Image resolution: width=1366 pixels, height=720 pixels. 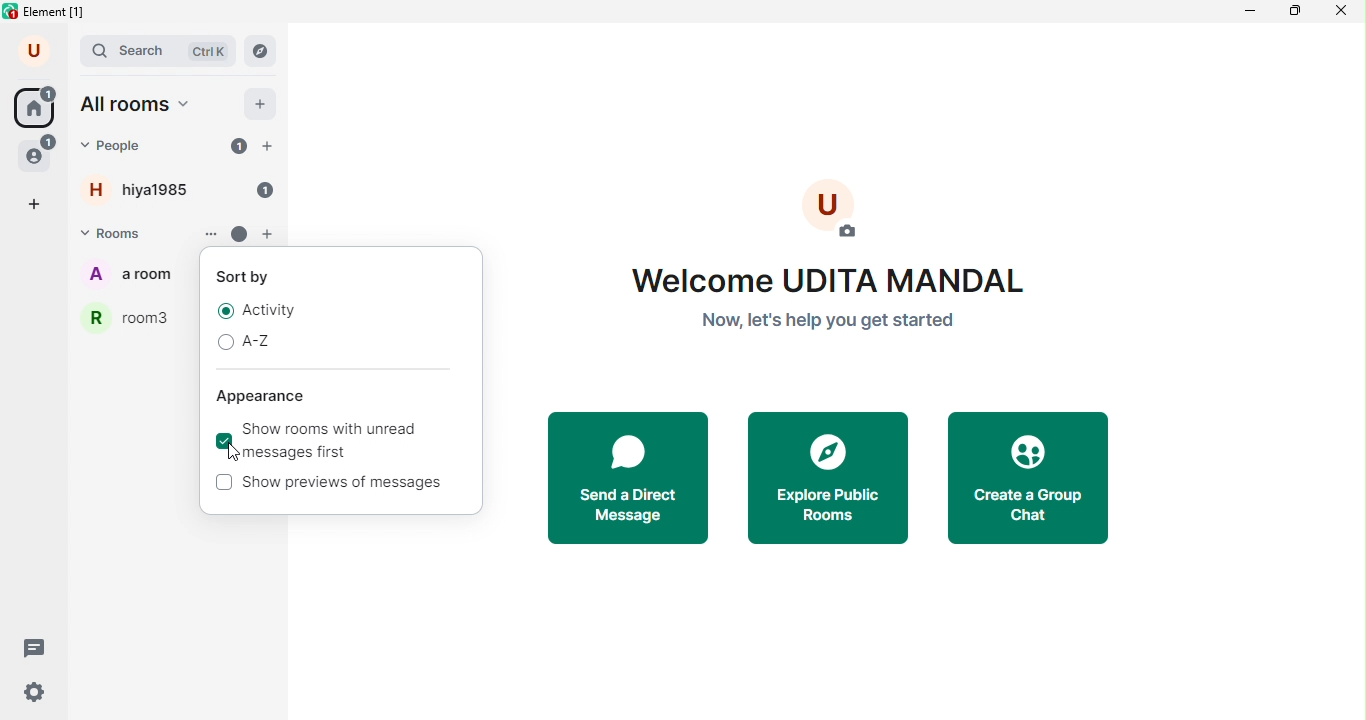 I want to click on navigator, so click(x=262, y=50).